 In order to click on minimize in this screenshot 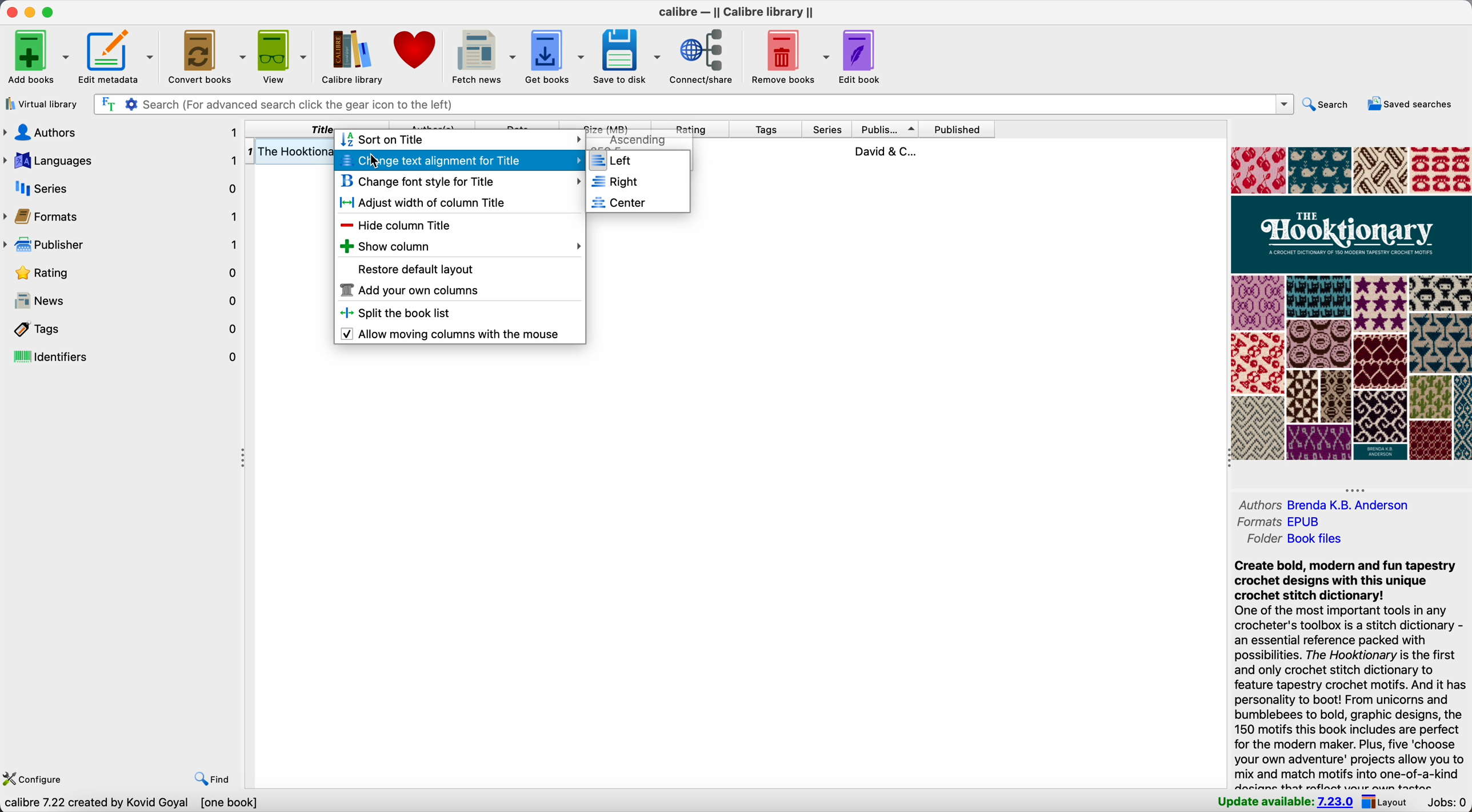, I will do `click(29, 12)`.